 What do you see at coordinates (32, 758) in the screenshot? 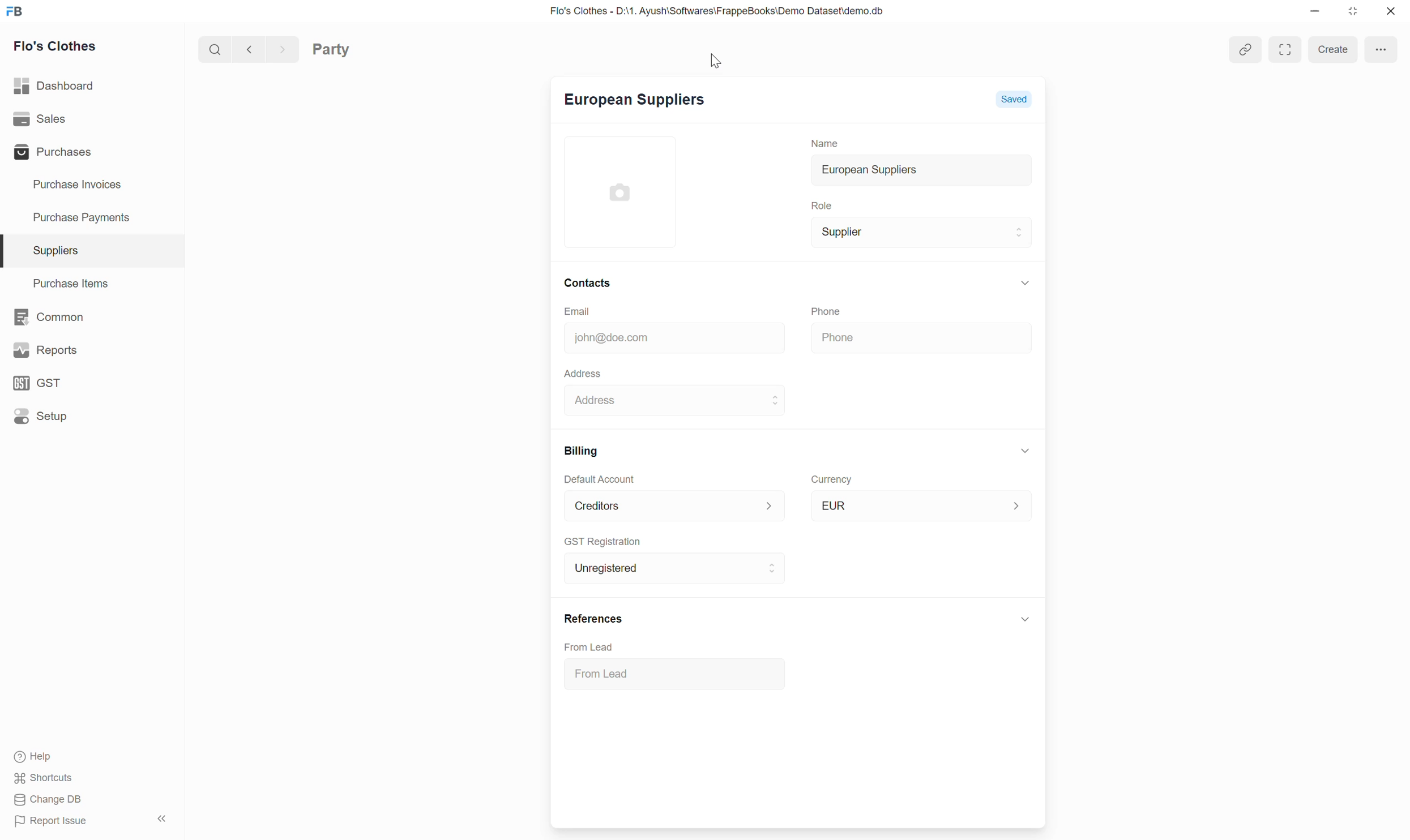
I see `help` at bounding box center [32, 758].